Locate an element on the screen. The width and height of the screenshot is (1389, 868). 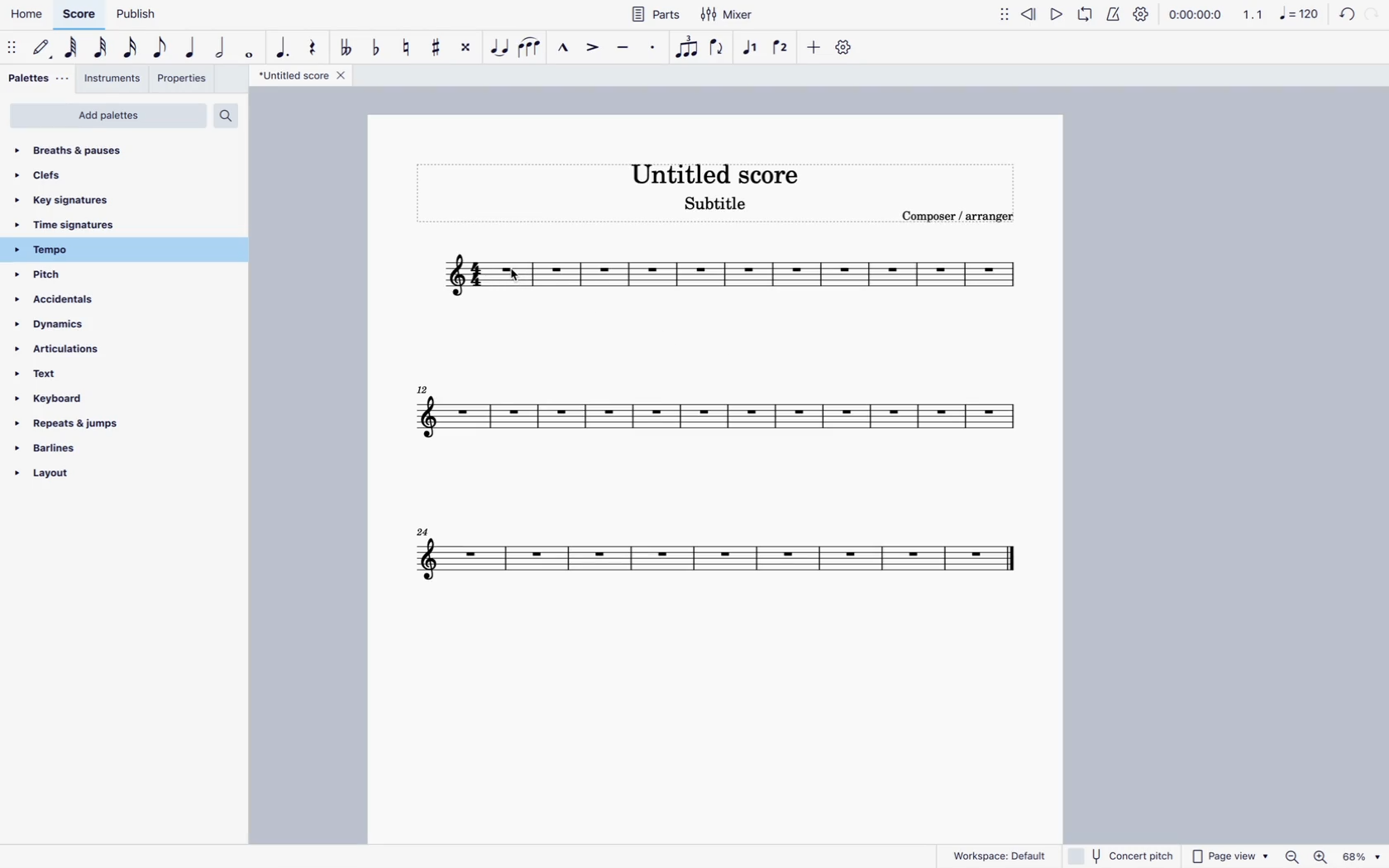
full note is located at coordinates (251, 49).